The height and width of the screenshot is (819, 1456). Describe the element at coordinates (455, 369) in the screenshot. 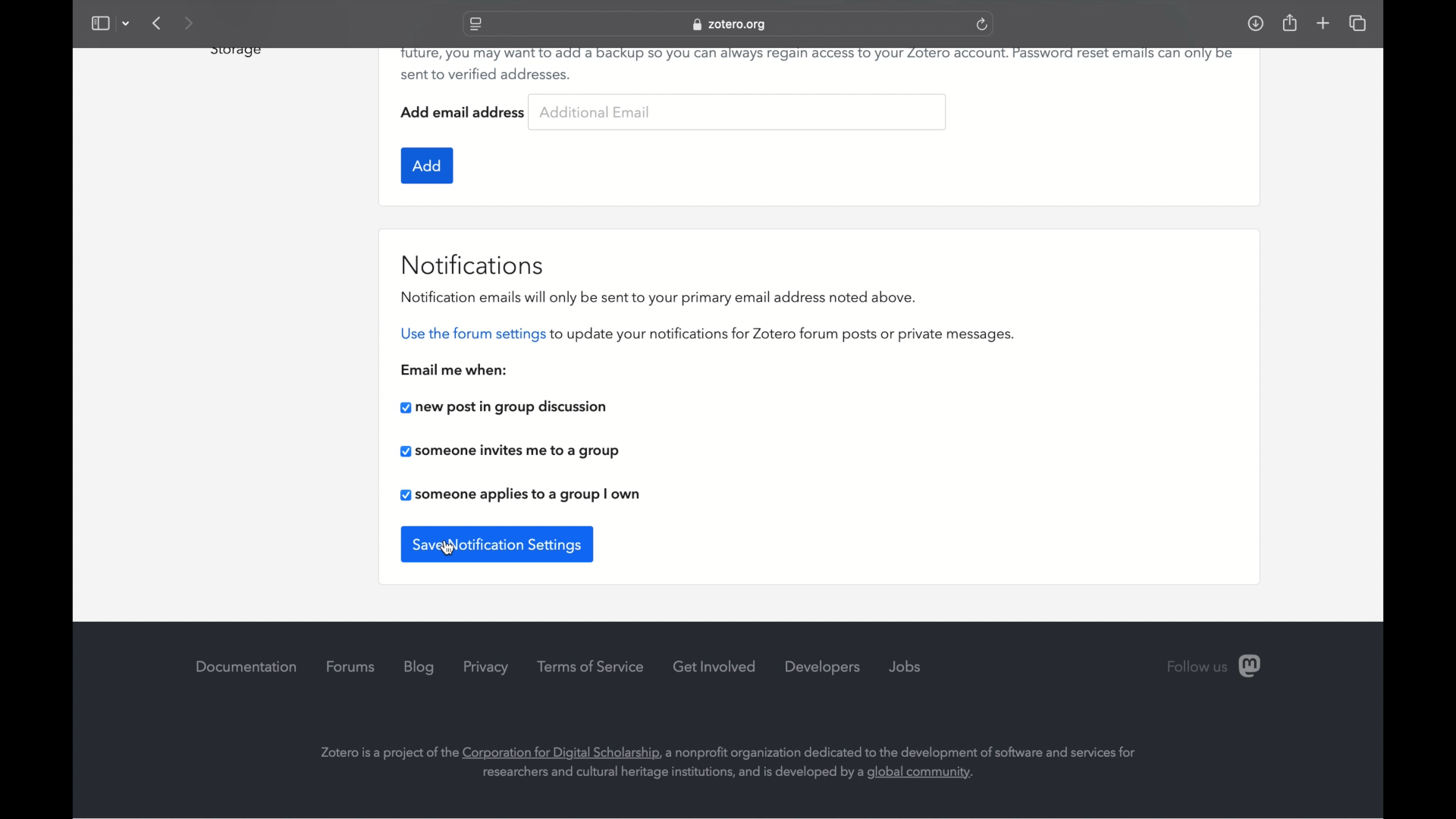

I see `email me when:` at that location.